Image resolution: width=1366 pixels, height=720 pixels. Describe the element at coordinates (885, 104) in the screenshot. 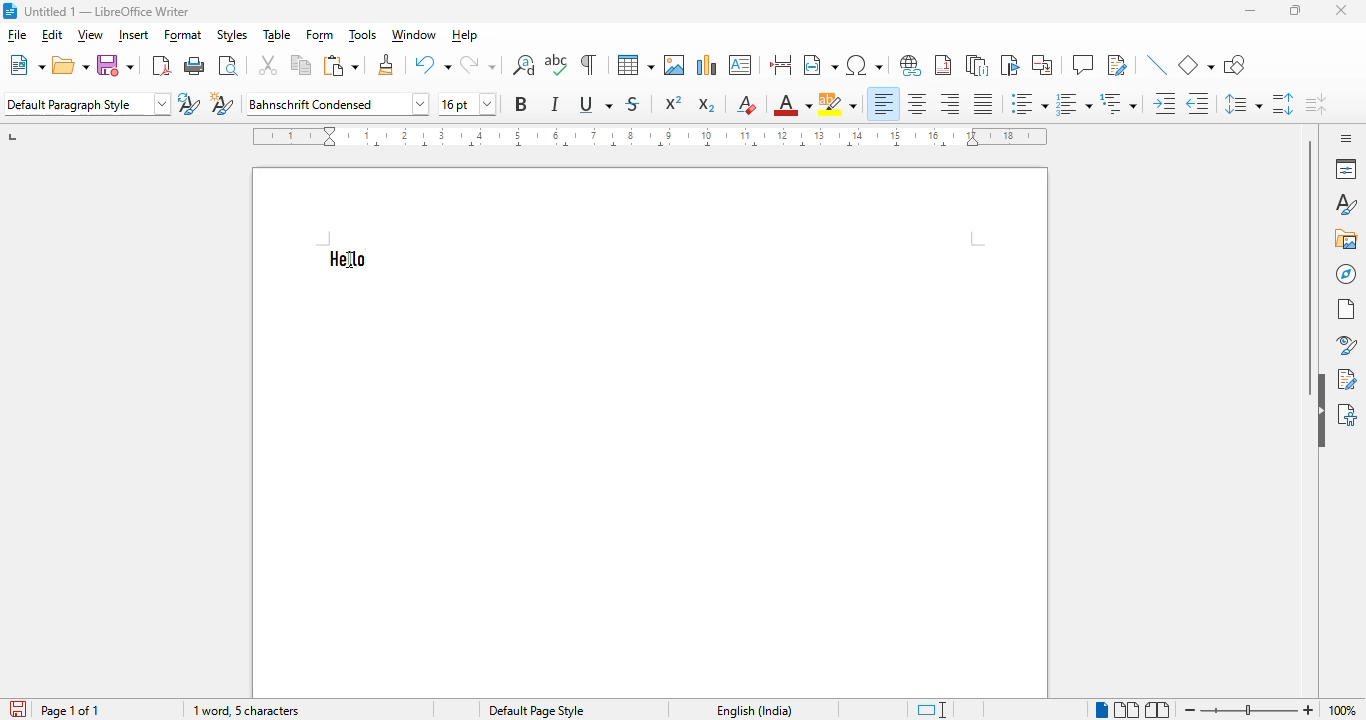

I see `align left` at that location.